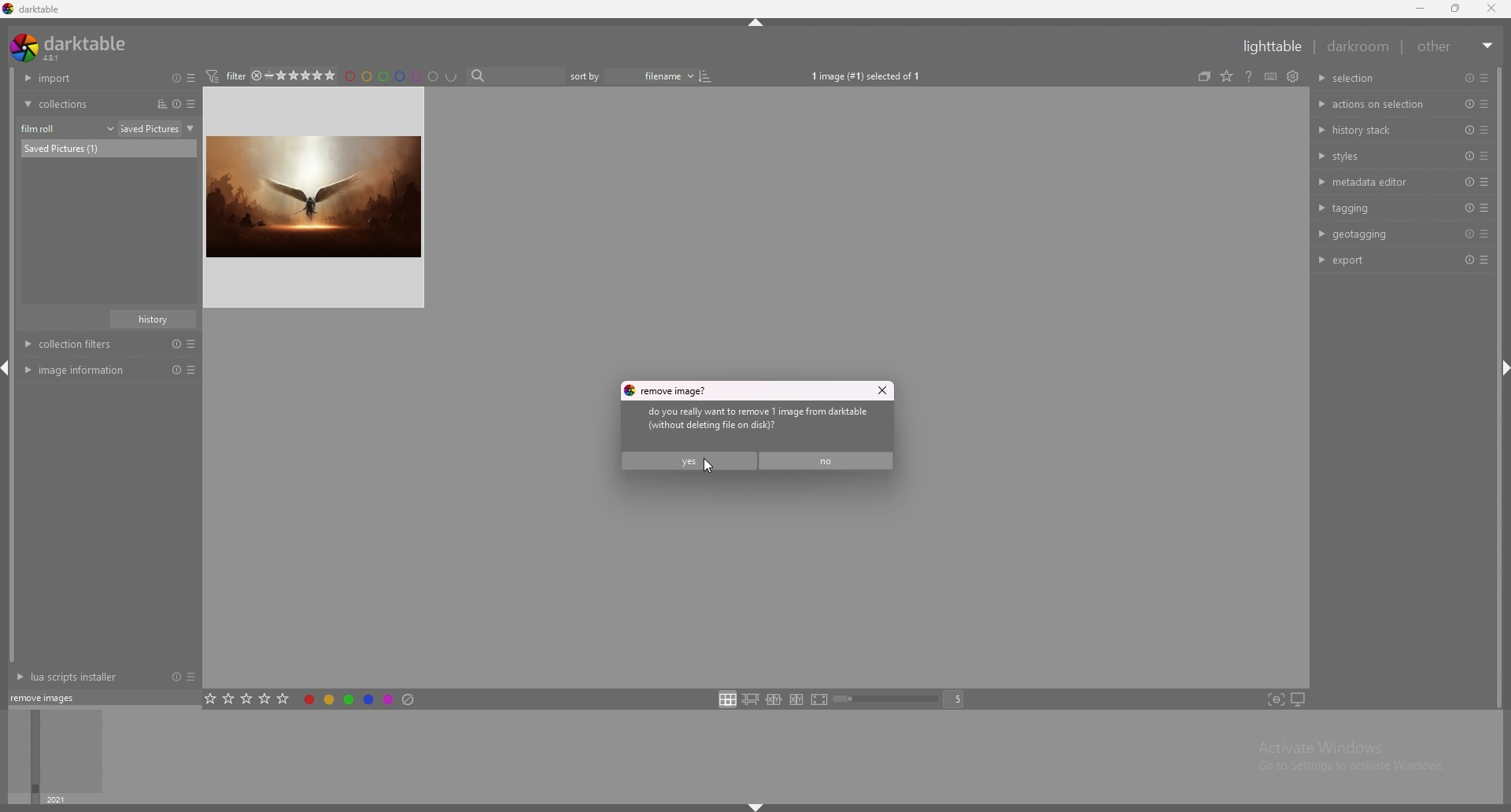  I want to click on darktable, so click(33, 9).